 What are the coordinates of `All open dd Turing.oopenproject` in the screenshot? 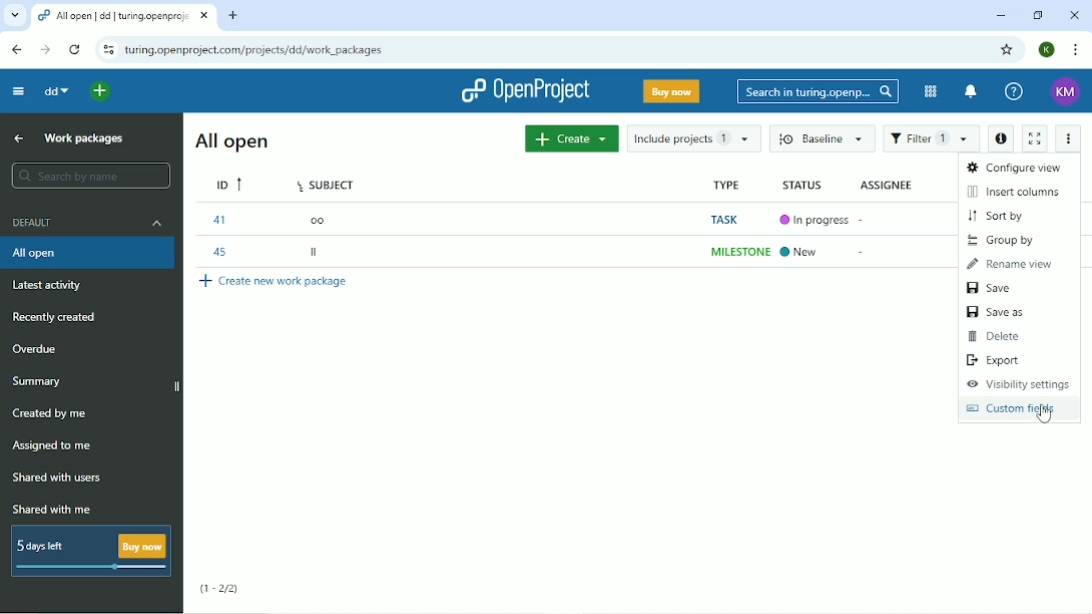 It's located at (122, 15).